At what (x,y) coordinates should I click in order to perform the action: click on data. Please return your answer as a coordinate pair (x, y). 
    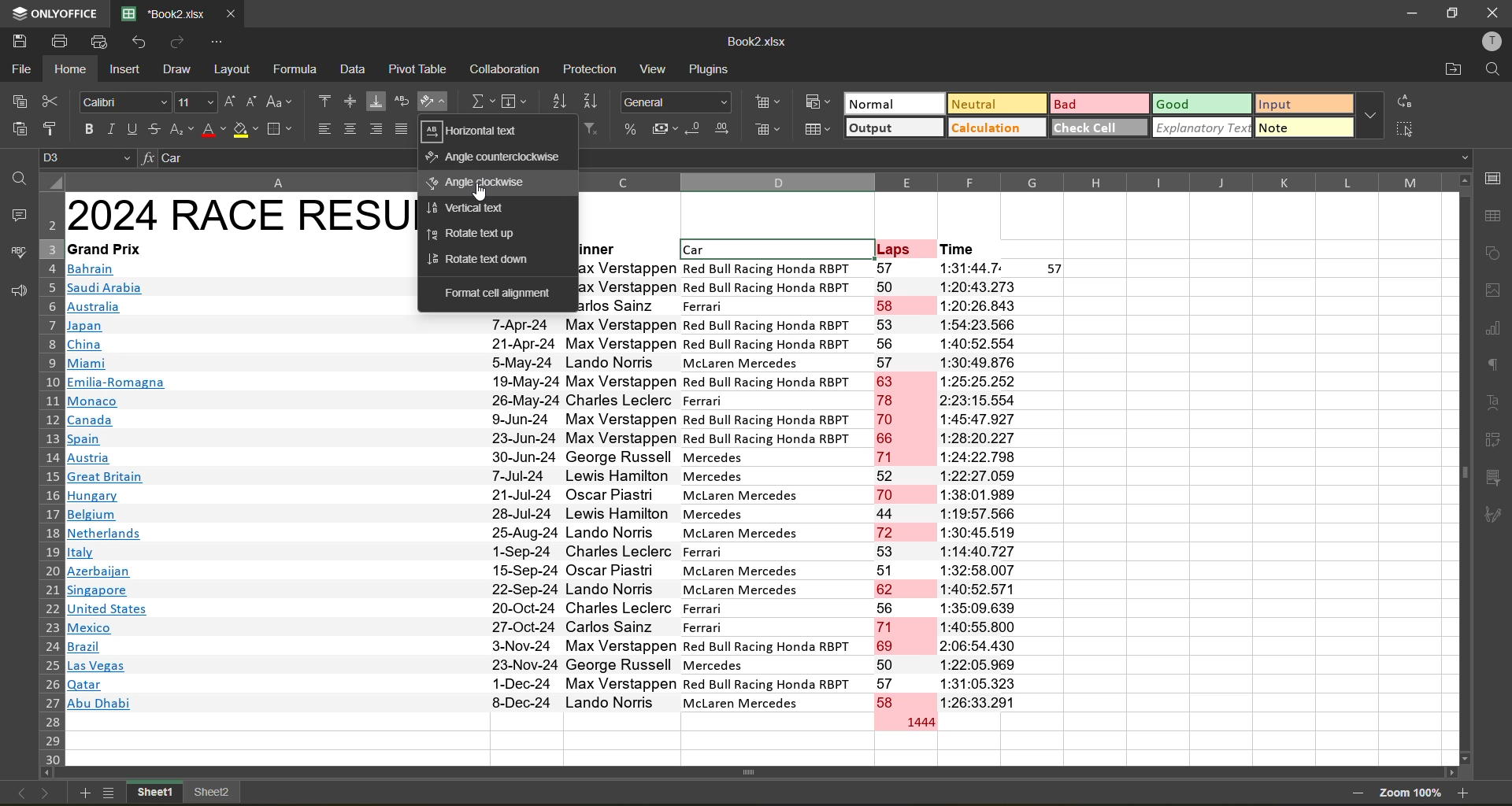
    Looking at the image, I should click on (356, 70).